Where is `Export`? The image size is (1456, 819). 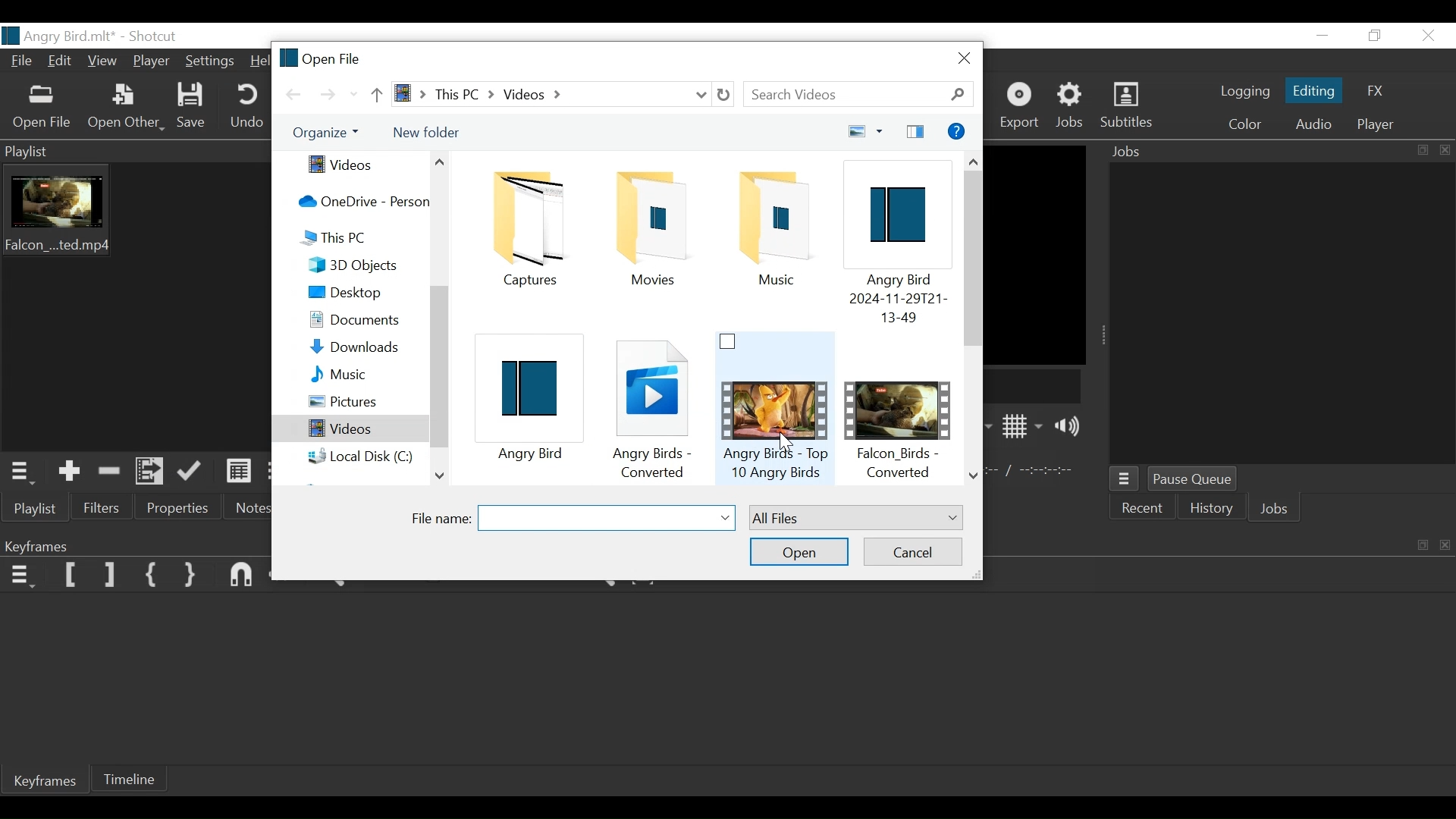 Export is located at coordinates (1025, 107).